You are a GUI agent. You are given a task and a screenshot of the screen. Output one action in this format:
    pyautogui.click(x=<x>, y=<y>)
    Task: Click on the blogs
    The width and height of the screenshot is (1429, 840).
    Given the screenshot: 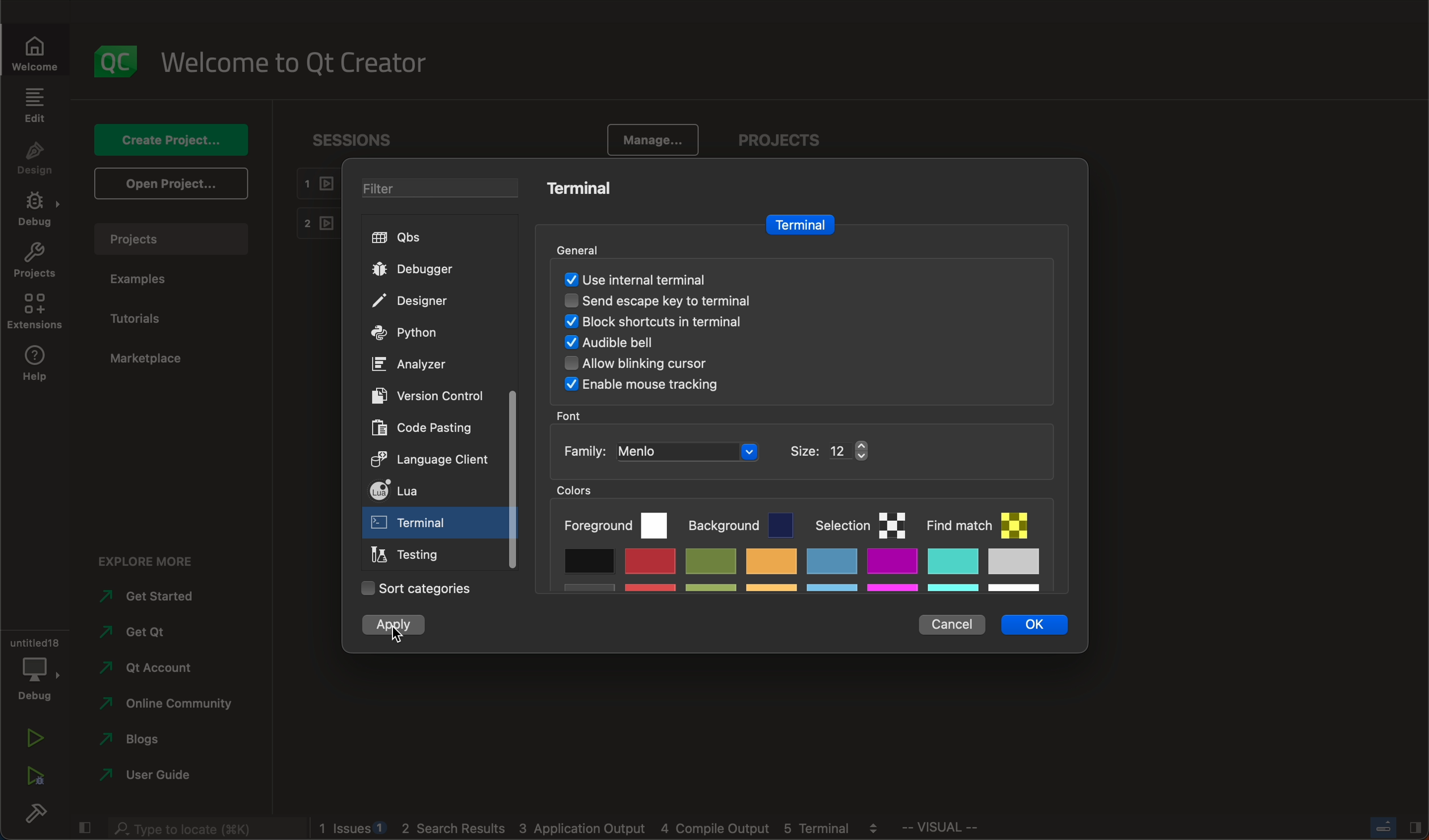 What is the action you would take?
    pyautogui.click(x=144, y=738)
    